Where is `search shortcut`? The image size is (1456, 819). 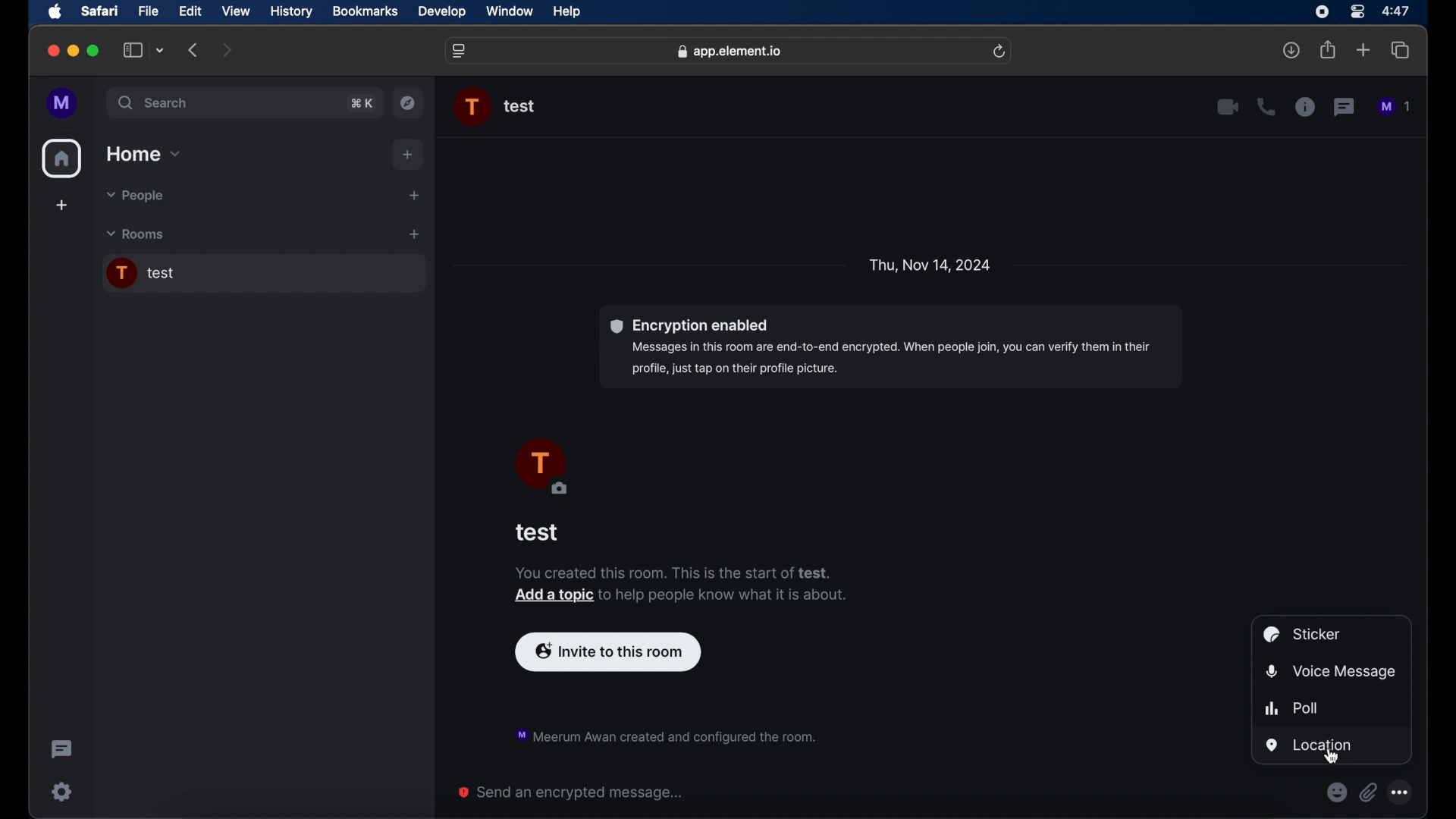 search shortcut is located at coordinates (361, 102).